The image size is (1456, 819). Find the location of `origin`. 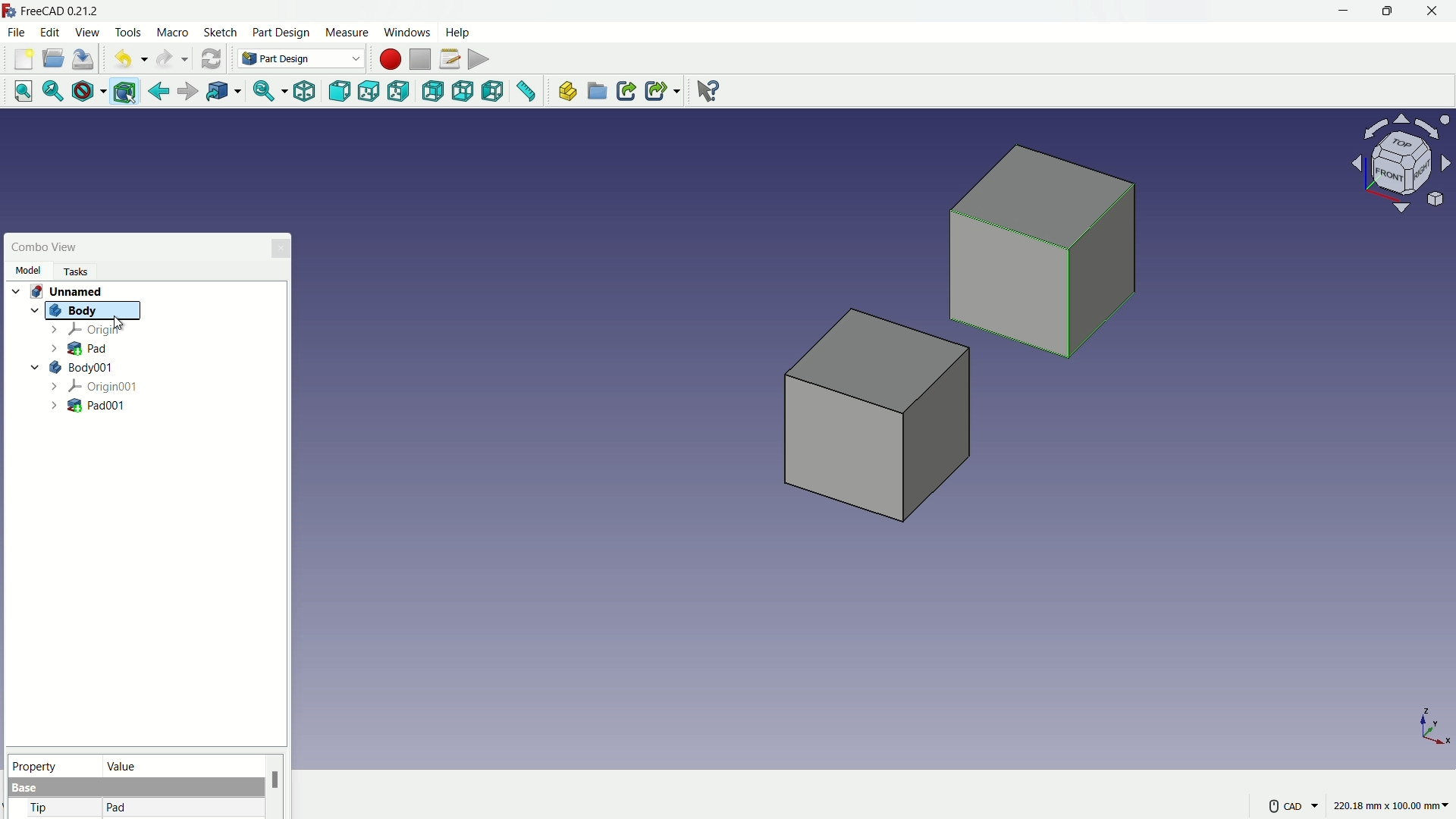

origin is located at coordinates (99, 329).